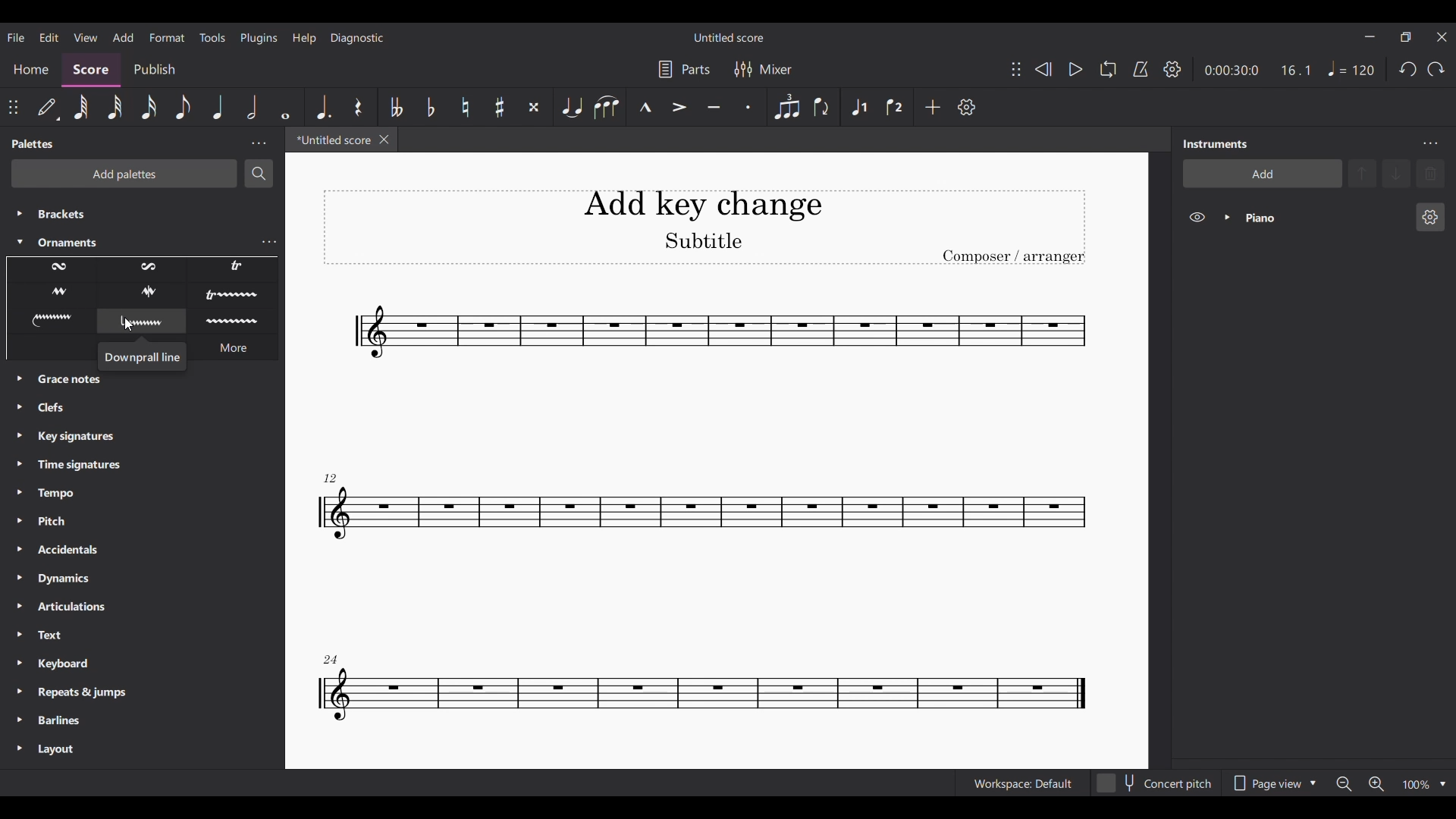 This screenshot has height=819, width=1456. I want to click on 32nd note, so click(115, 107).